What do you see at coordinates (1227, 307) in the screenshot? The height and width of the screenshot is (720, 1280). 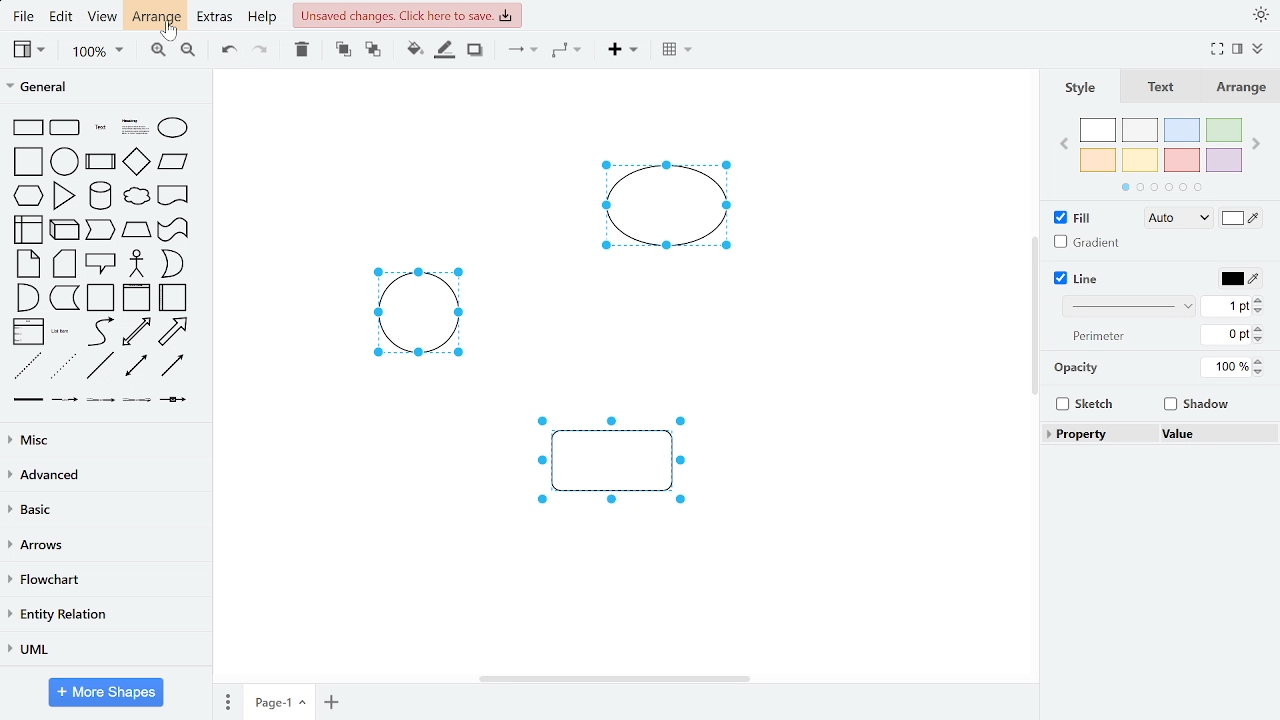 I see `1 pt` at bounding box center [1227, 307].